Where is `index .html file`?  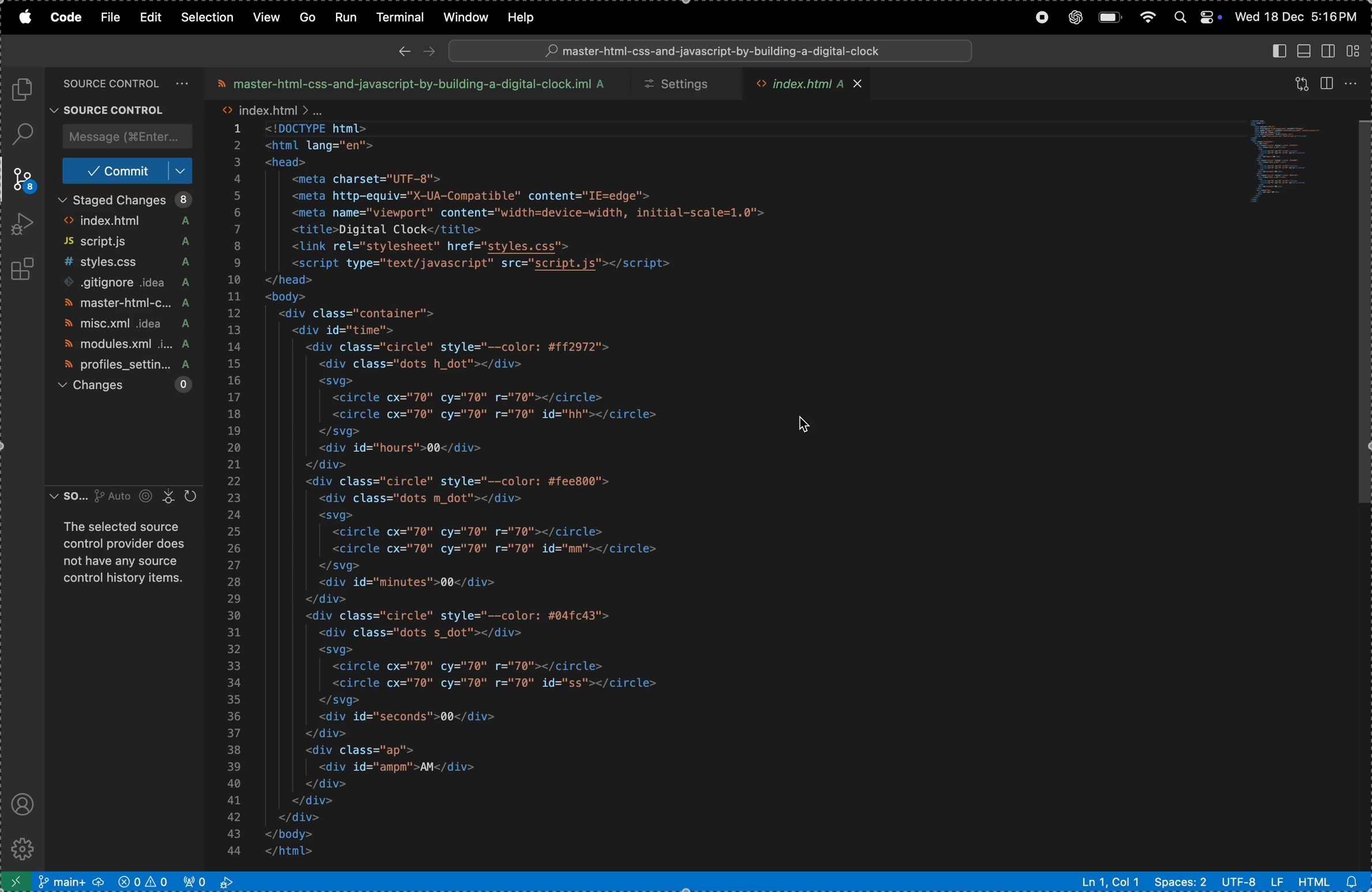 index .html file is located at coordinates (274, 109).